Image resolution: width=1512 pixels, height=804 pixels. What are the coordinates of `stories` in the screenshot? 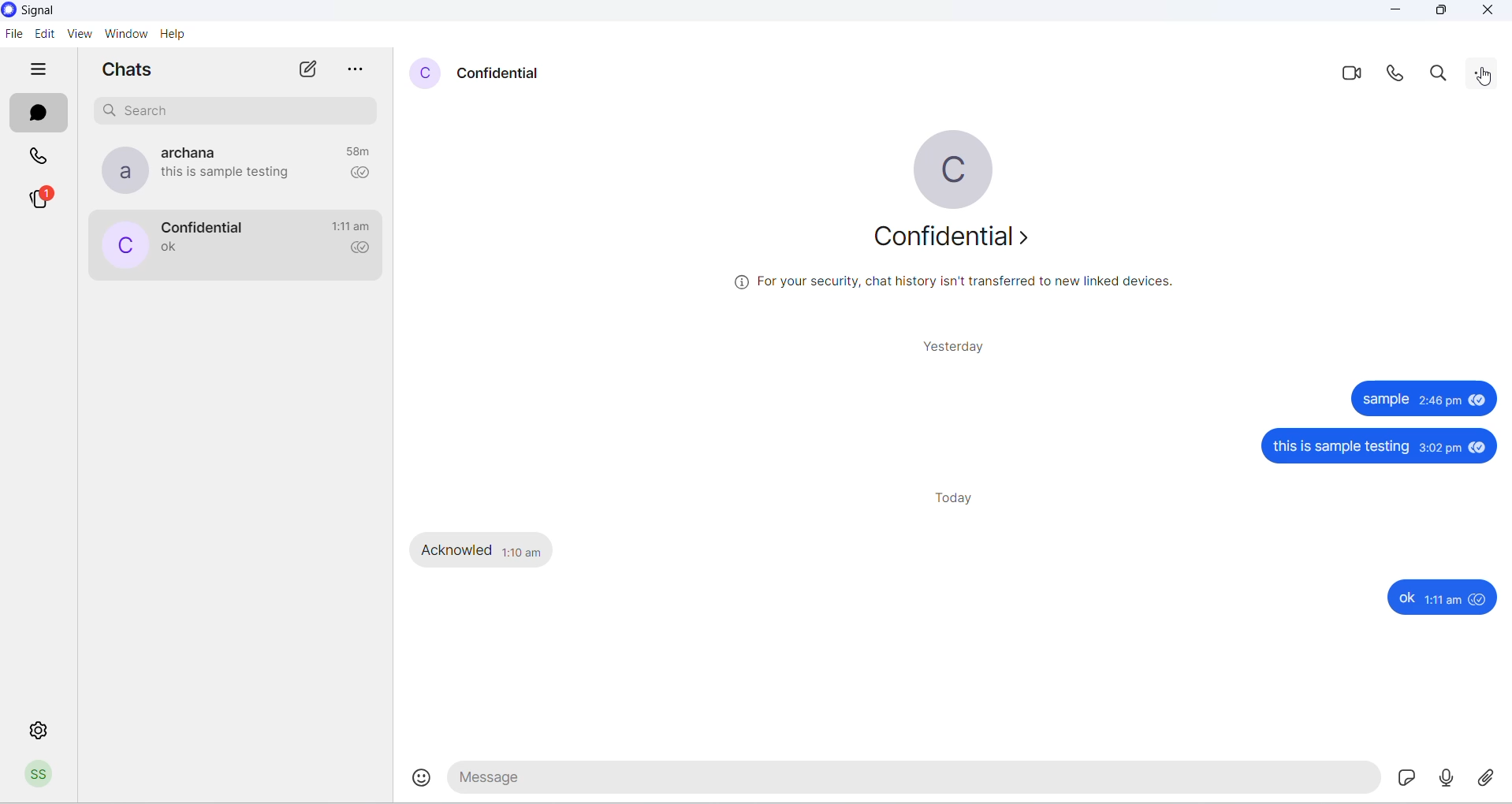 It's located at (43, 198).